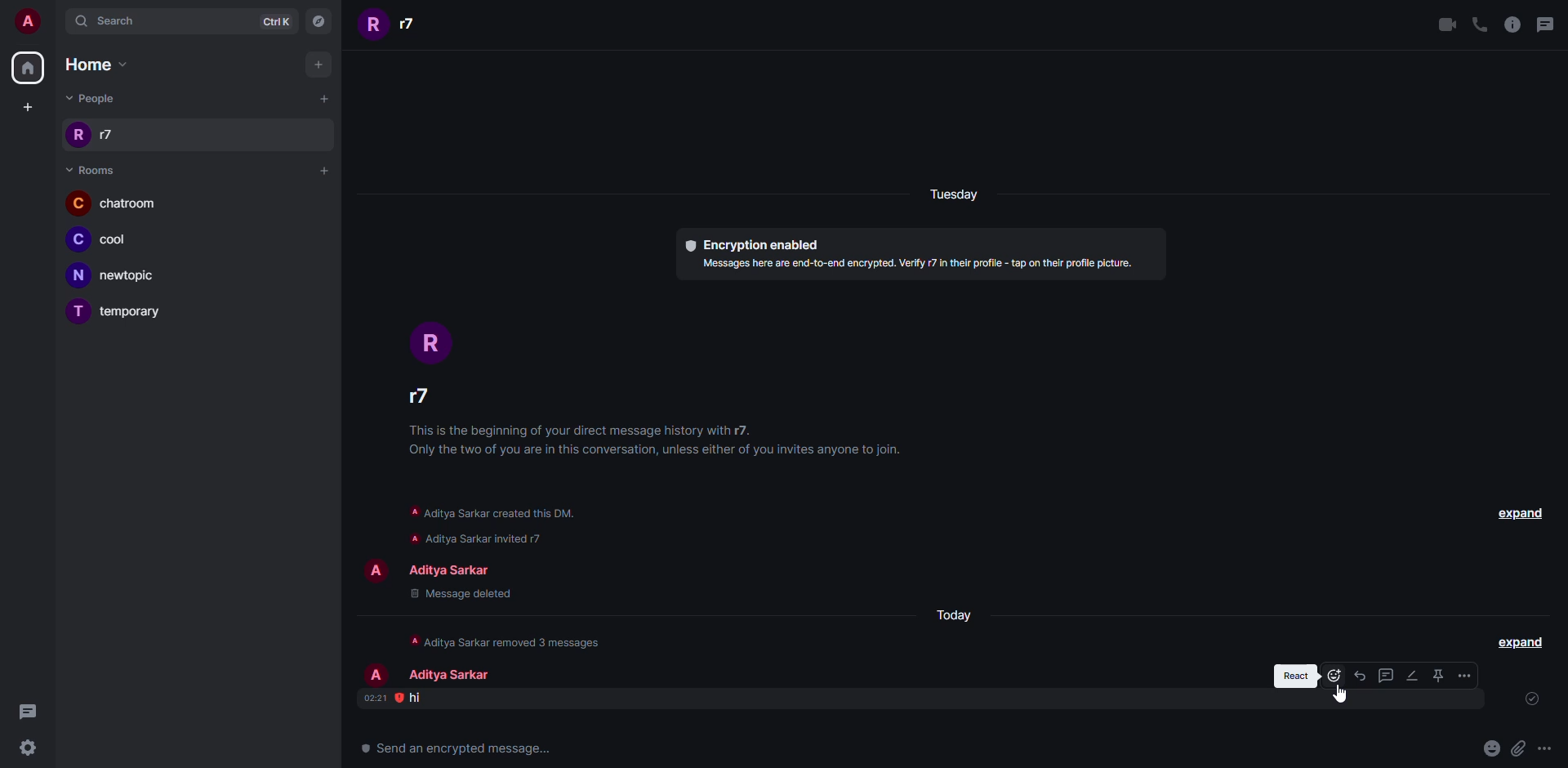  What do you see at coordinates (916, 263) in the screenshot?
I see `info` at bounding box center [916, 263].